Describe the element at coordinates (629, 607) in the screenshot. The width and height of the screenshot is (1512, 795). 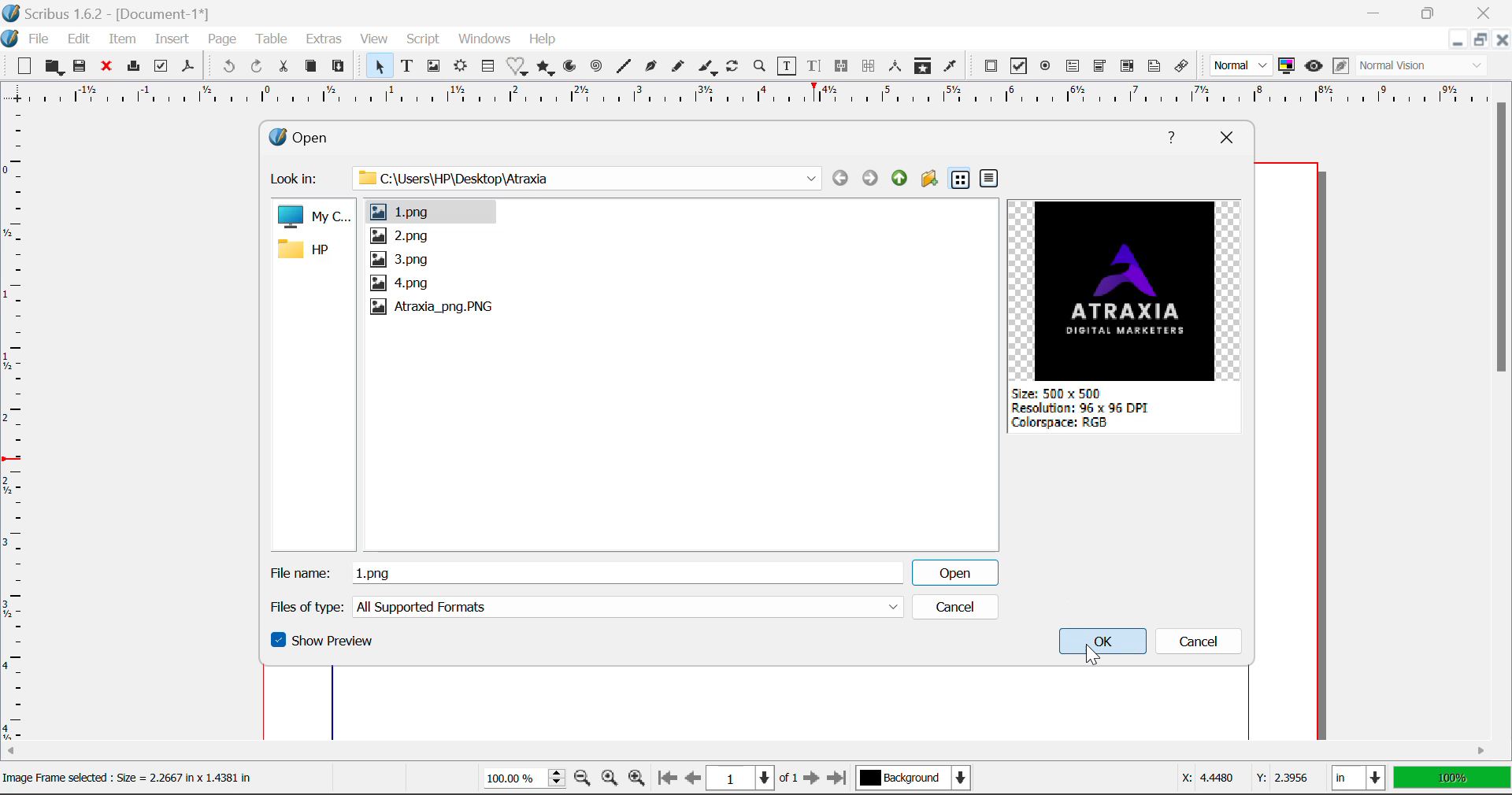
I see `: All Supported Formats ` at that location.